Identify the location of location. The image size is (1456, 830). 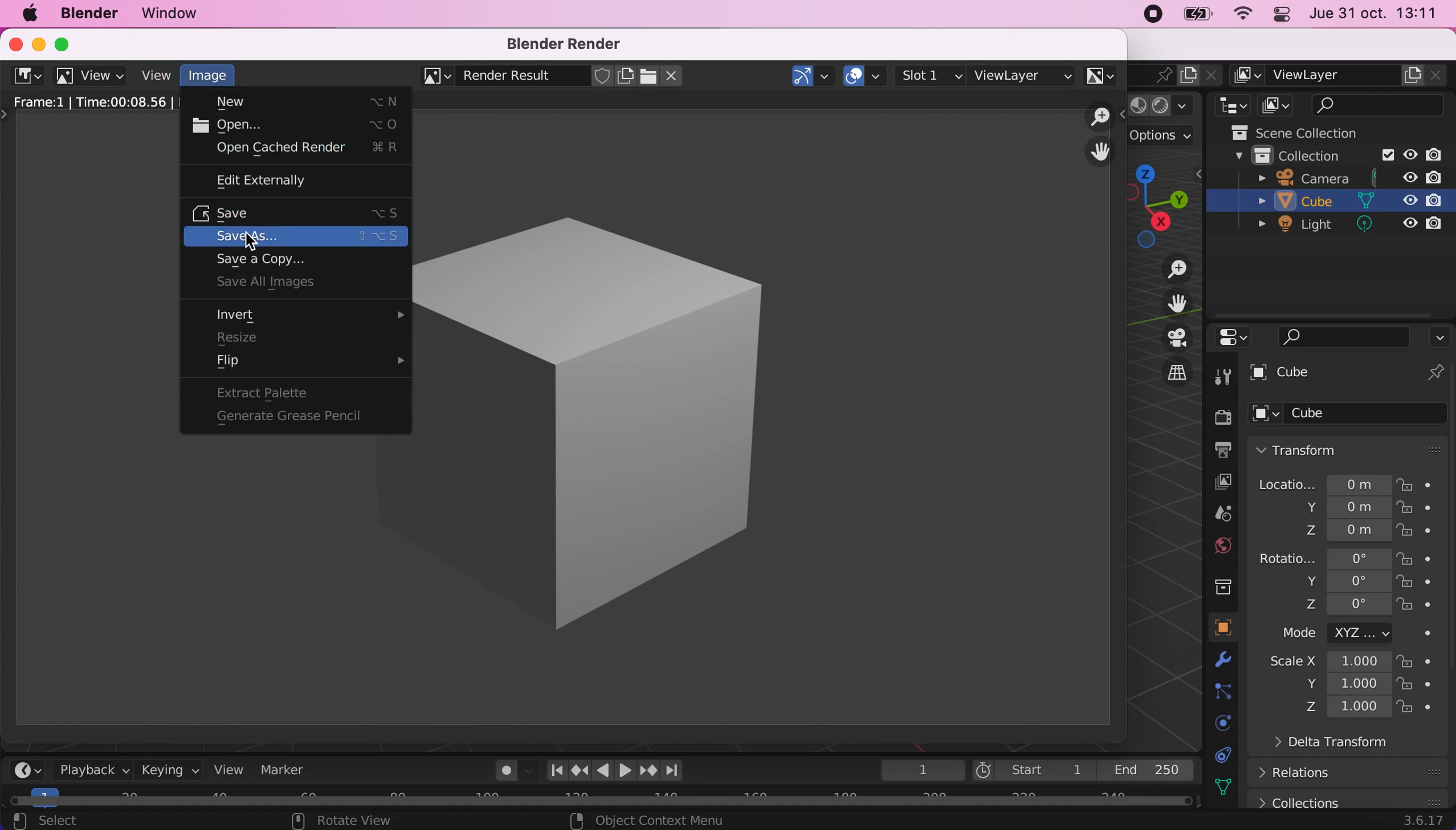
(1324, 481).